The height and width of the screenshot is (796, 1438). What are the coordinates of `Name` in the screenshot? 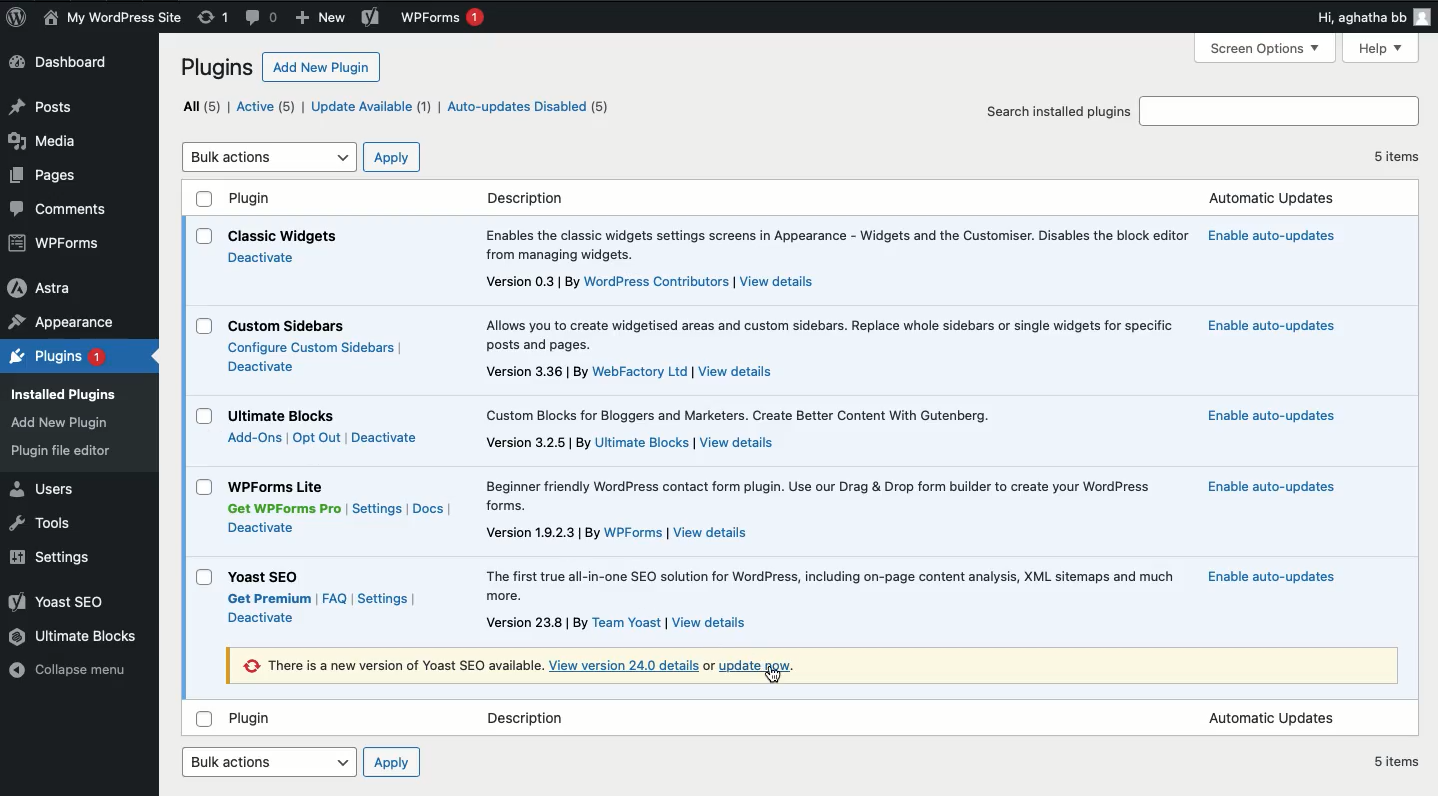 It's located at (115, 19).